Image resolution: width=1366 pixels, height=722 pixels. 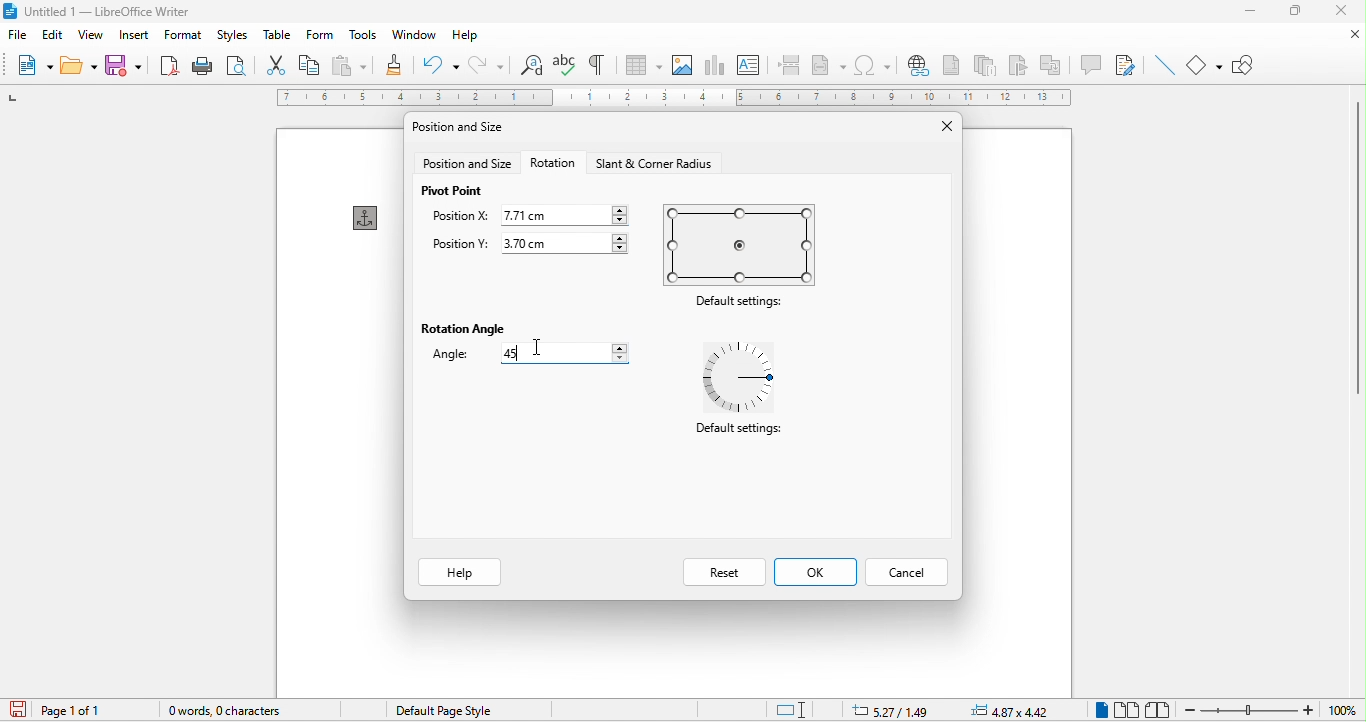 What do you see at coordinates (950, 64) in the screenshot?
I see `footnote` at bounding box center [950, 64].